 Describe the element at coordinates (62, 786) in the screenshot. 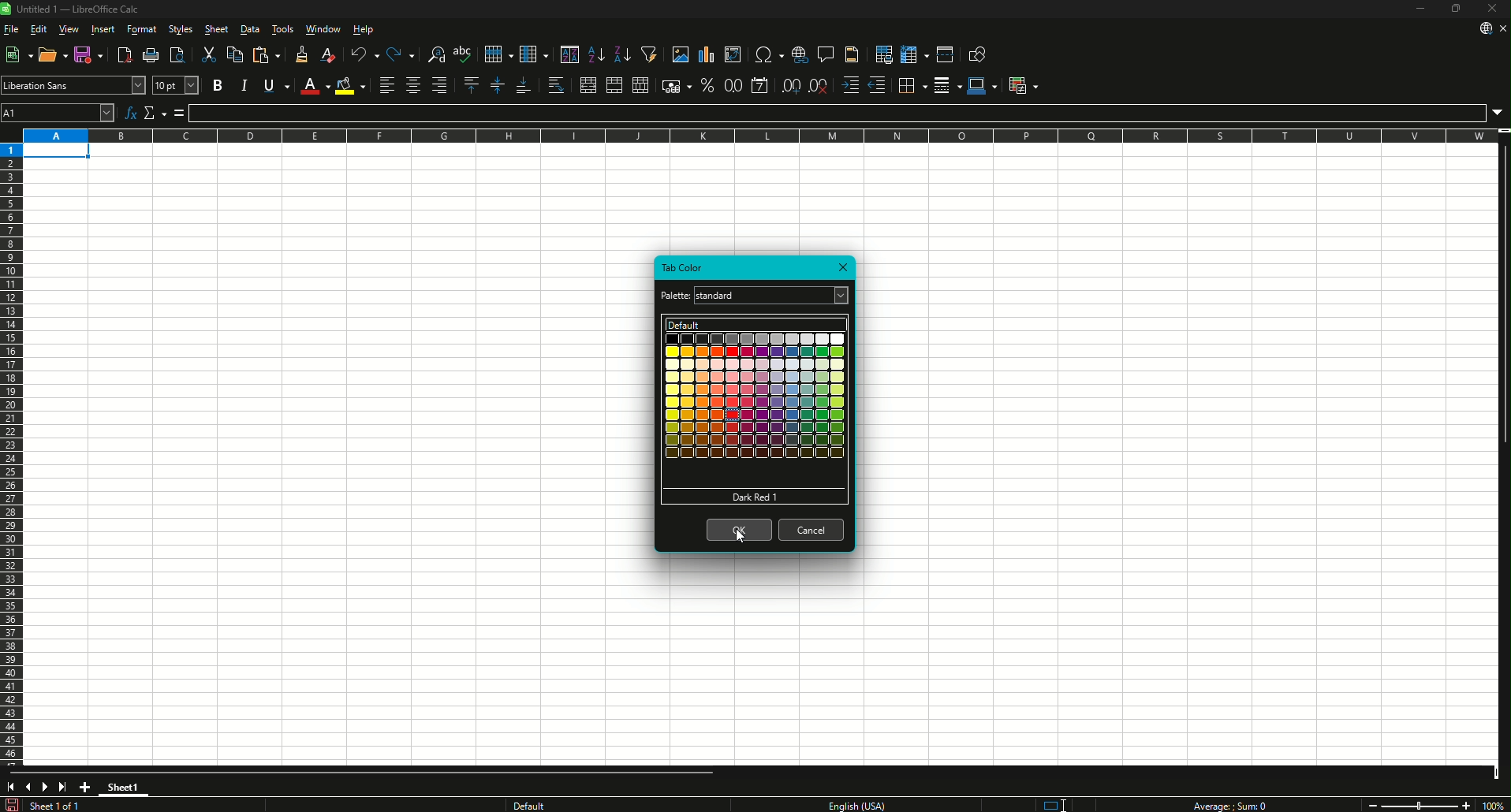

I see `Scroll to last sheet` at that location.